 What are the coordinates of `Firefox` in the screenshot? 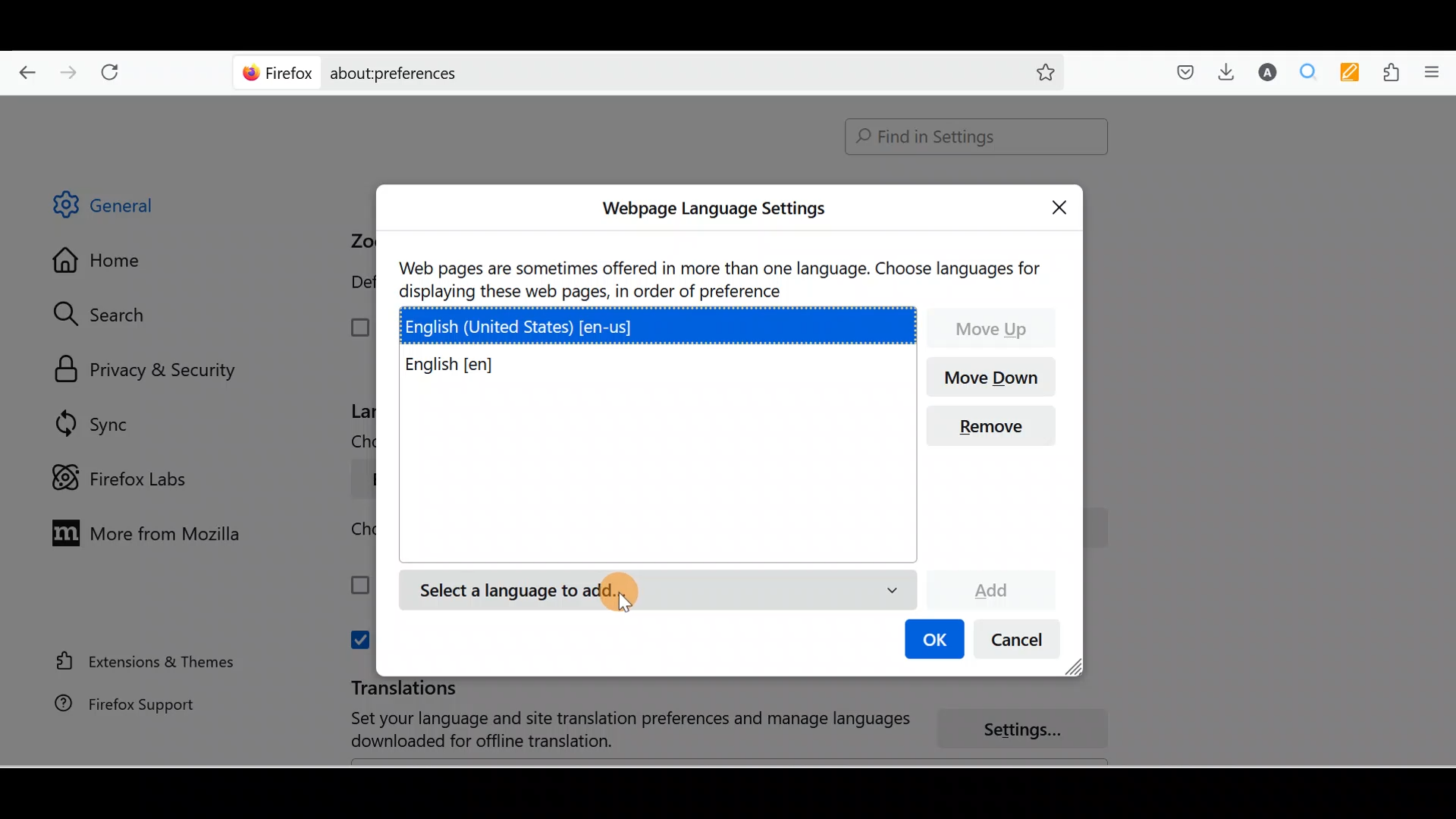 It's located at (278, 72).